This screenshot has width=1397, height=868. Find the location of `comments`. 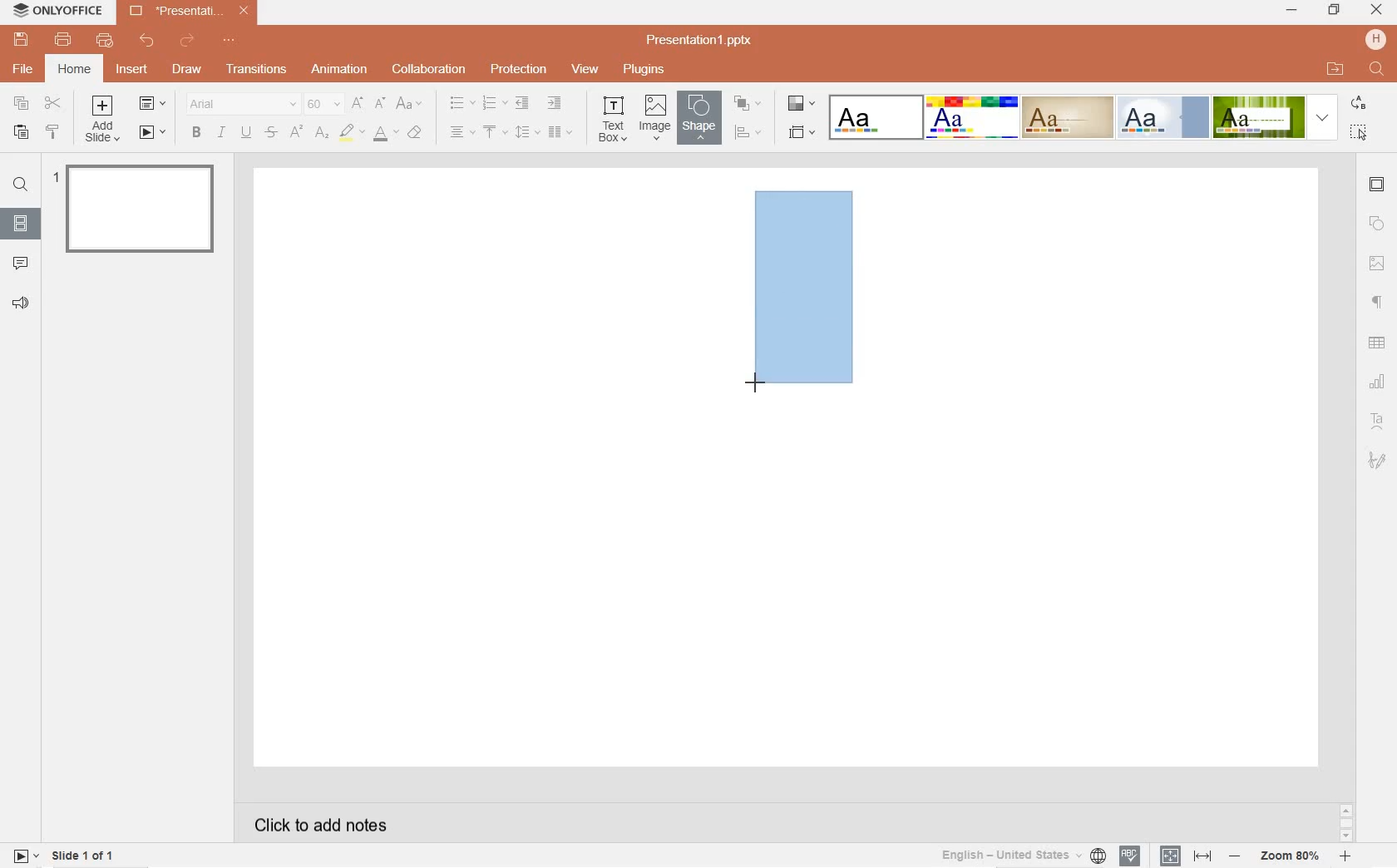

comments is located at coordinates (22, 262).